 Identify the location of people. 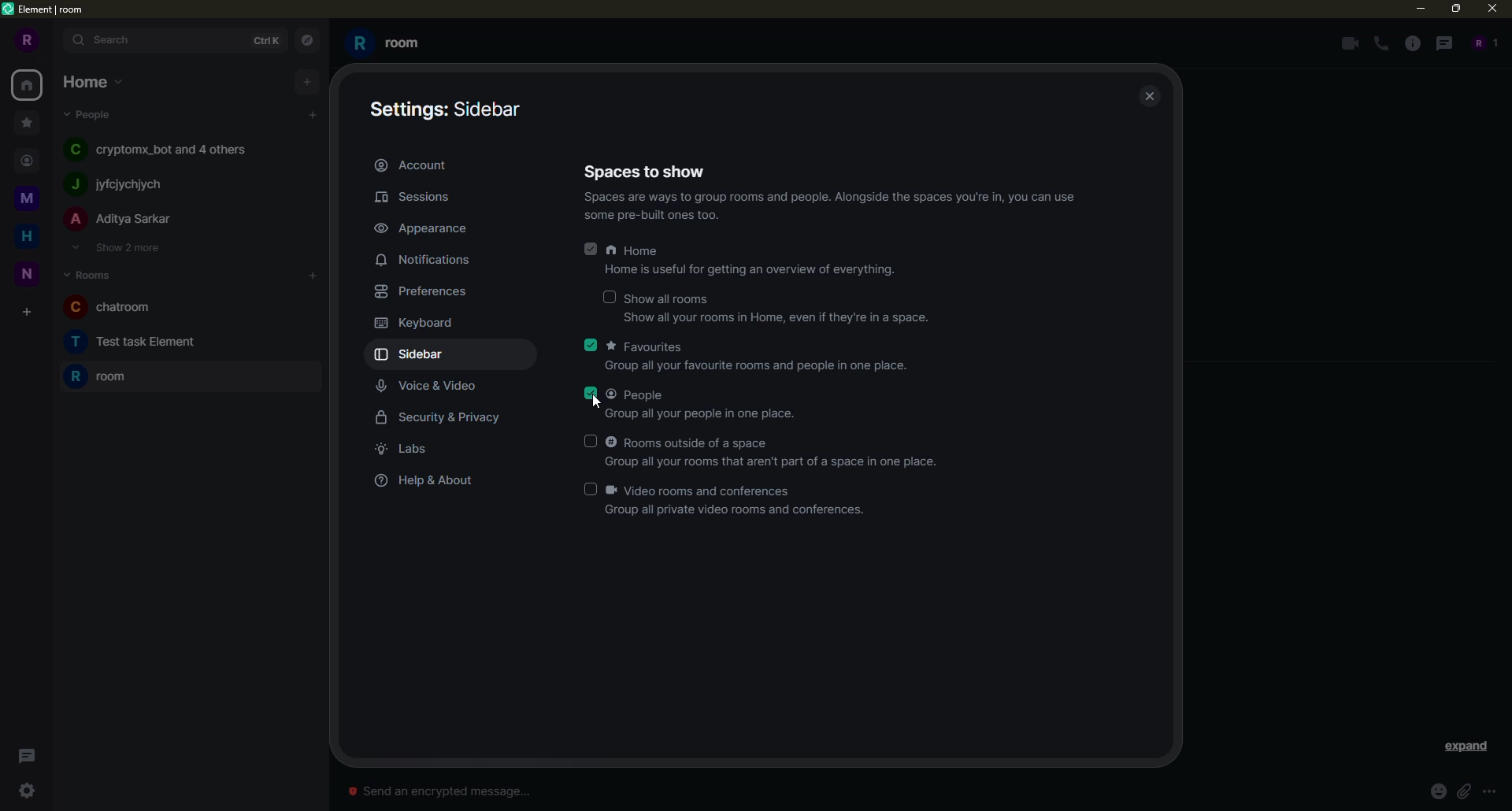
(1482, 43).